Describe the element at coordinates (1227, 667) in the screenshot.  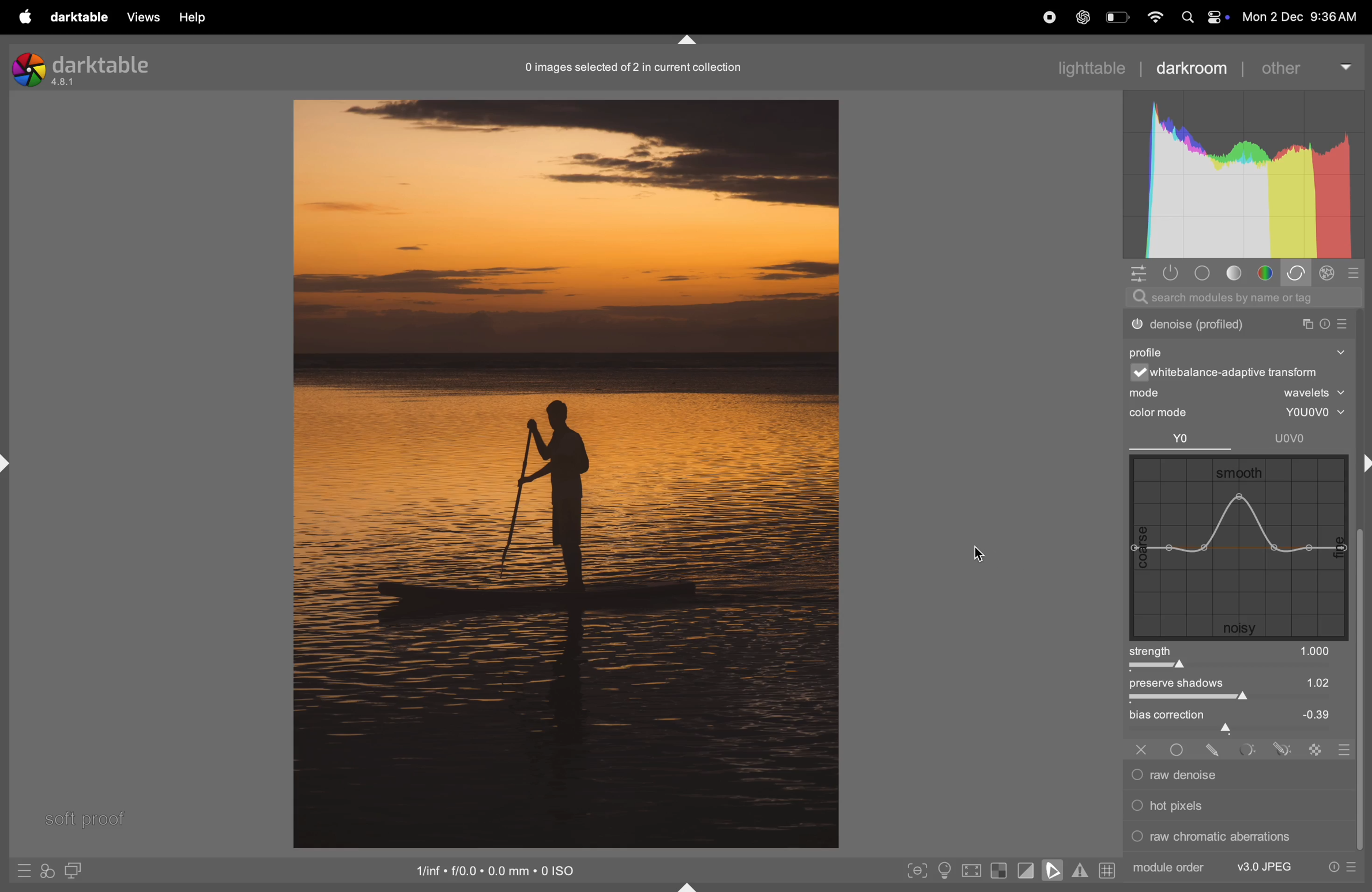
I see `toggle bar` at that location.